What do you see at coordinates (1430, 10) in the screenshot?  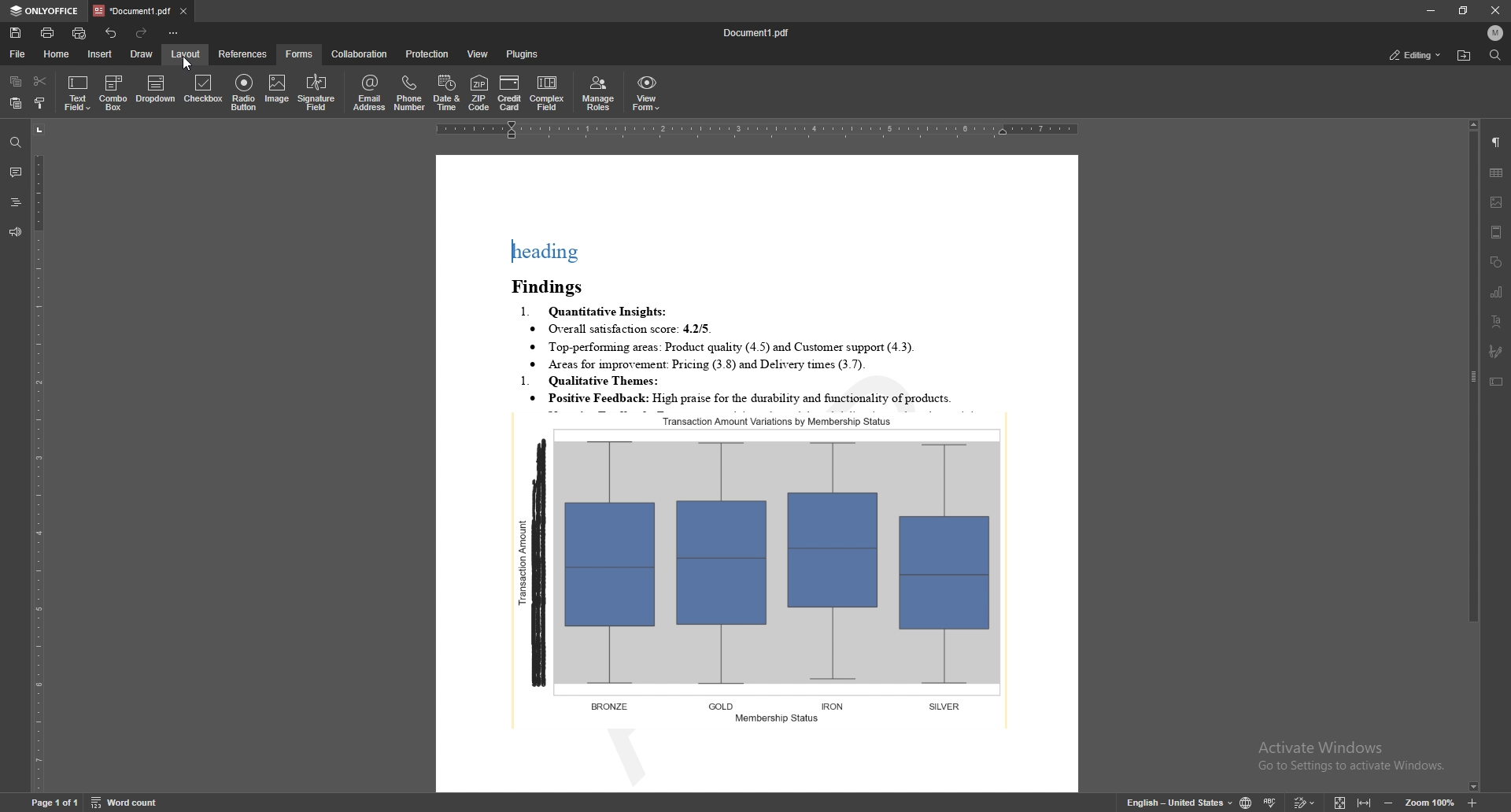 I see `minimize` at bounding box center [1430, 10].